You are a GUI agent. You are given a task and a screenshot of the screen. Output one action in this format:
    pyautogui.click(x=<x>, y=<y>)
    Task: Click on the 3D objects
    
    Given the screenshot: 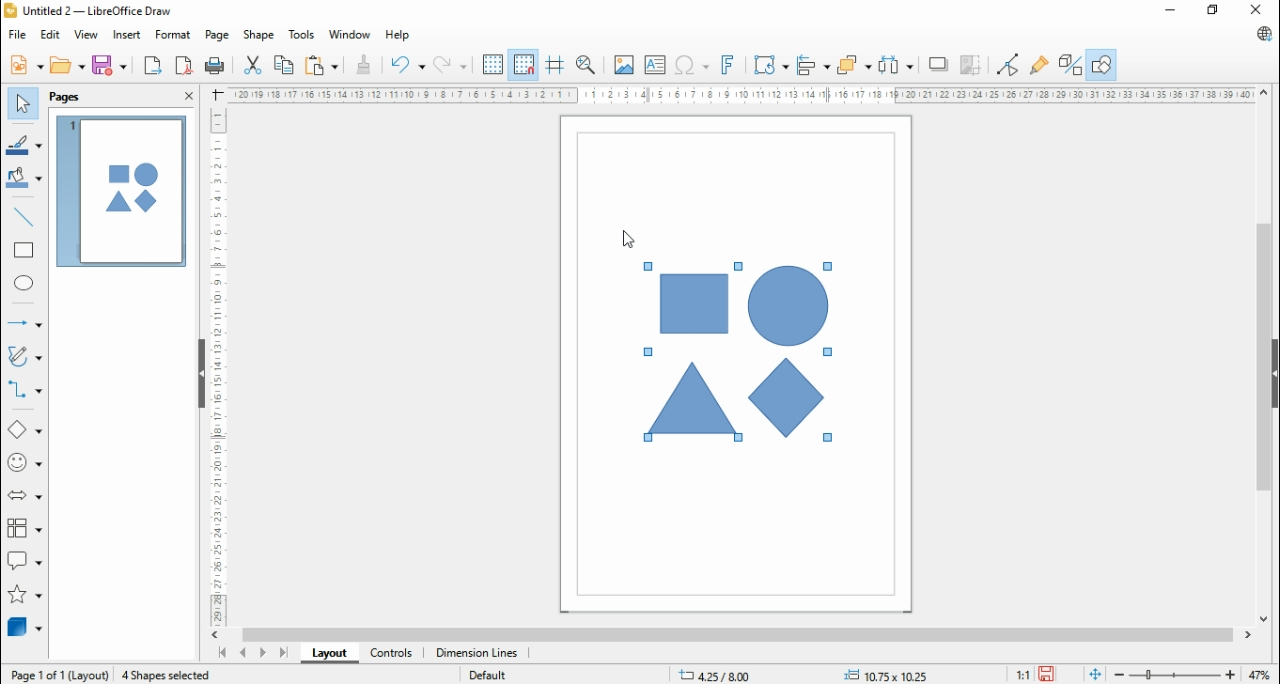 What is the action you would take?
    pyautogui.click(x=24, y=626)
    